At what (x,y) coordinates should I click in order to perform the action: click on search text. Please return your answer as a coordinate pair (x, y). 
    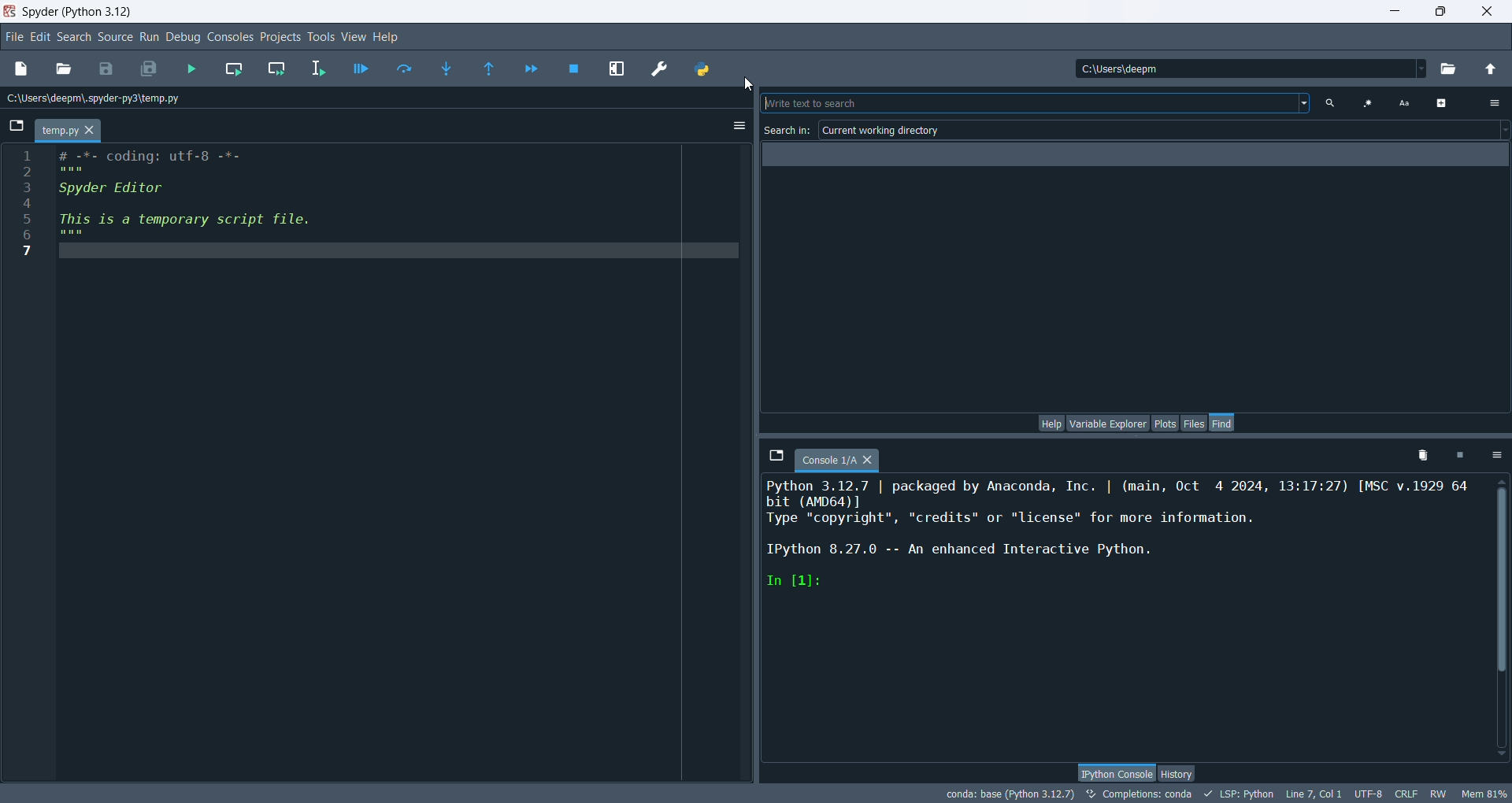
    Looking at the image, I should click on (1332, 104).